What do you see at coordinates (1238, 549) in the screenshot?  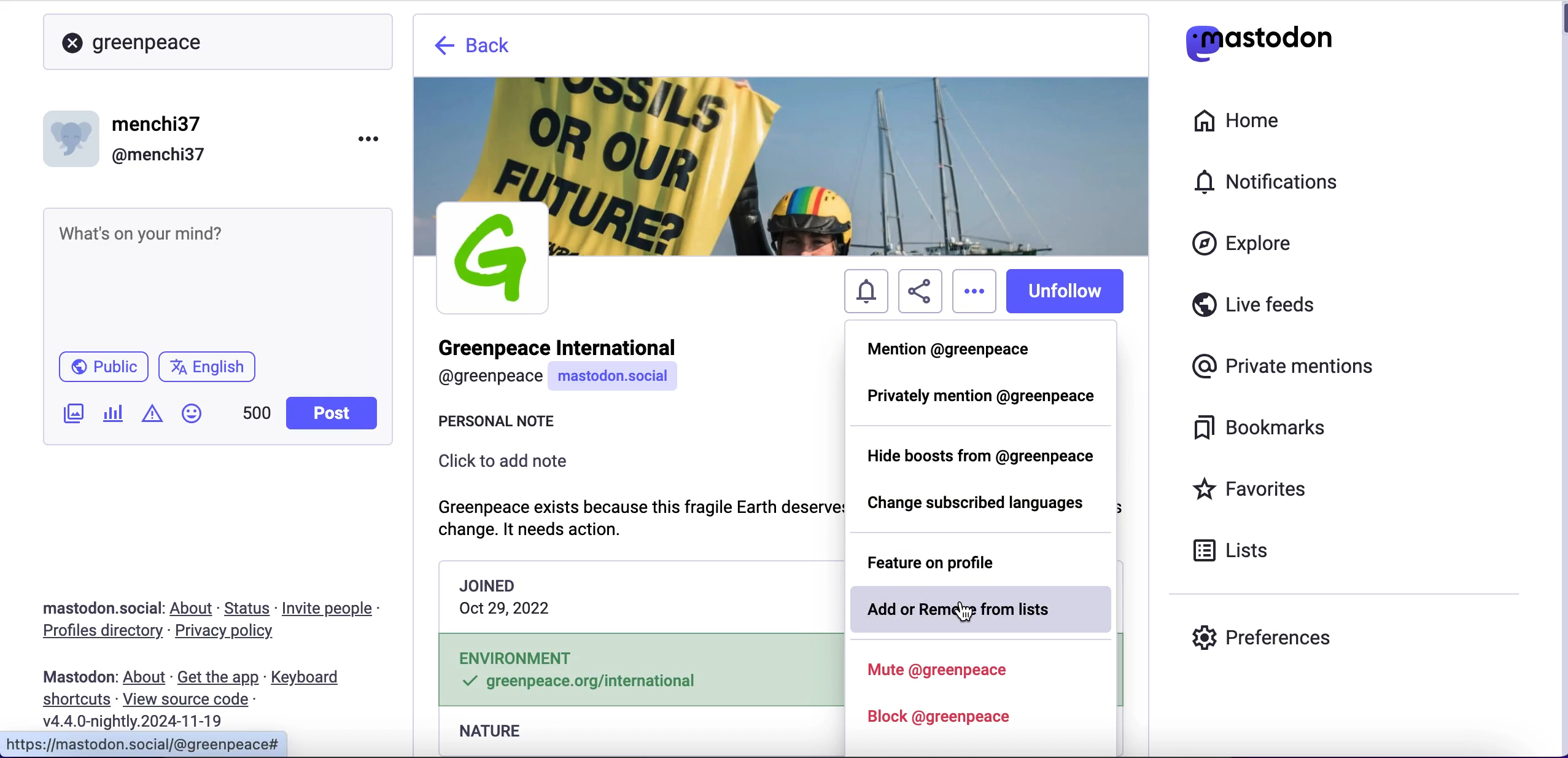 I see `lists` at bounding box center [1238, 549].